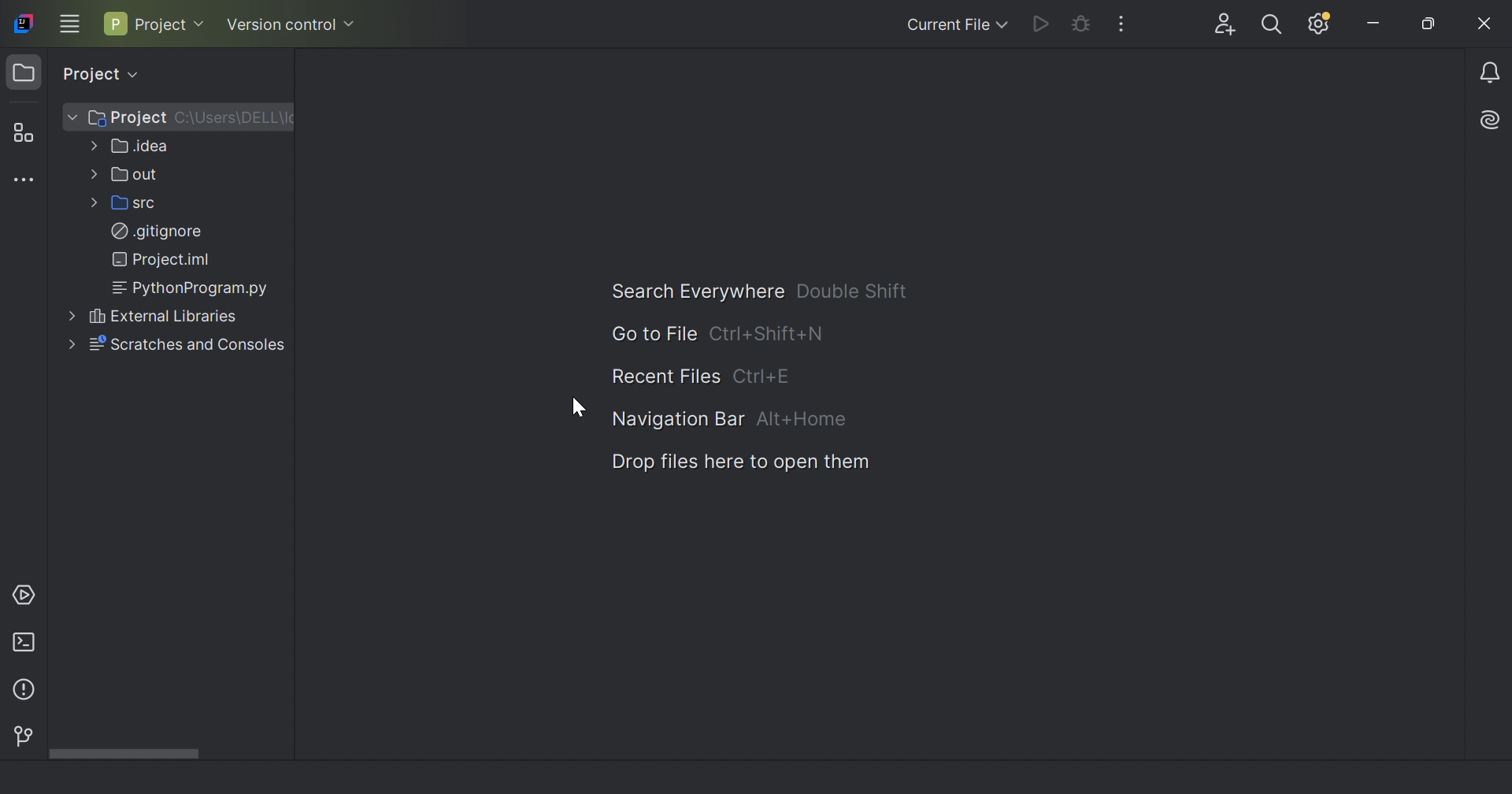  I want to click on PythonProgram.py, so click(194, 288).